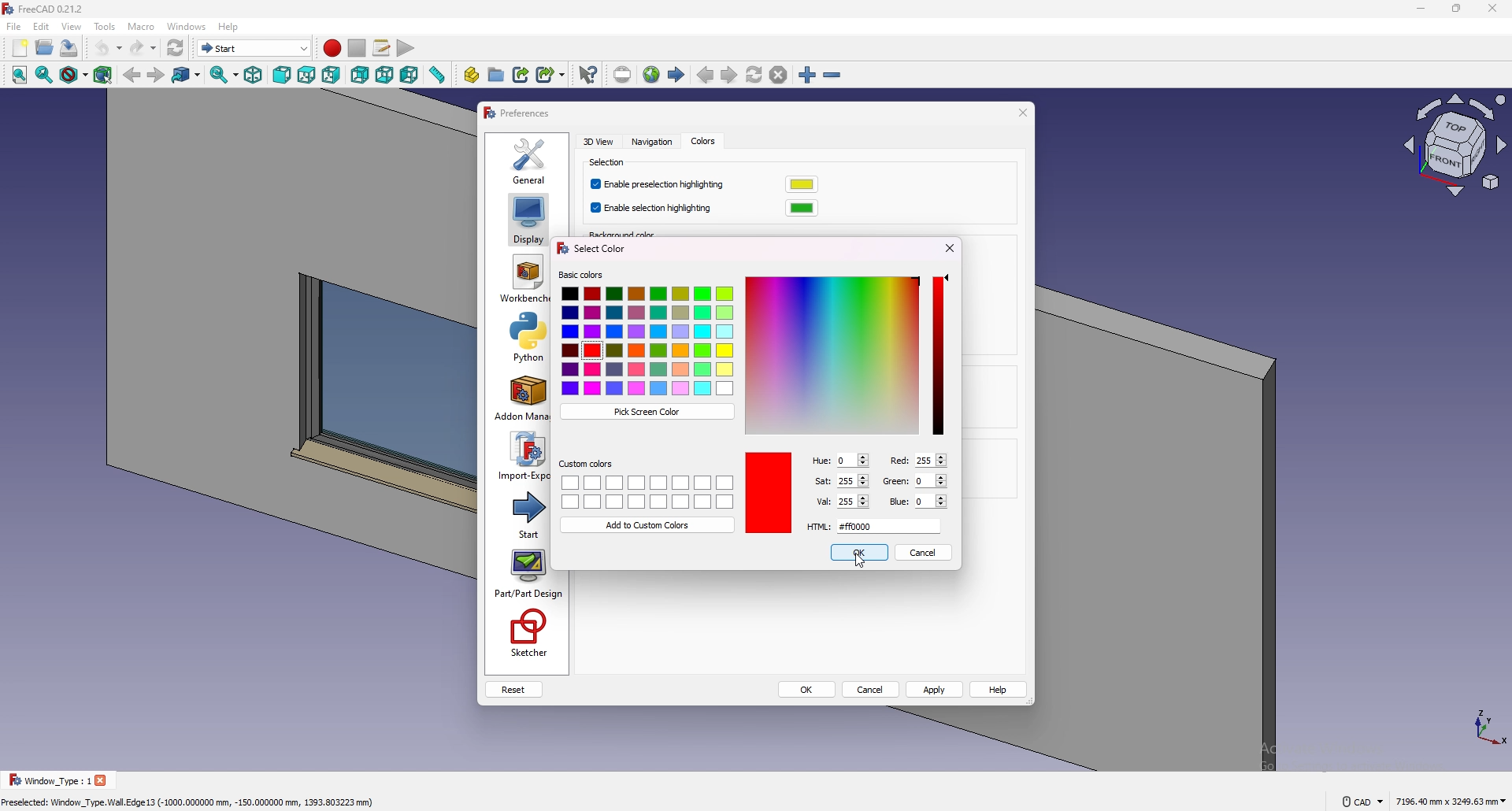  What do you see at coordinates (677, 75) in the screenshot?
I see `start page` at bounding box center [677, 75].